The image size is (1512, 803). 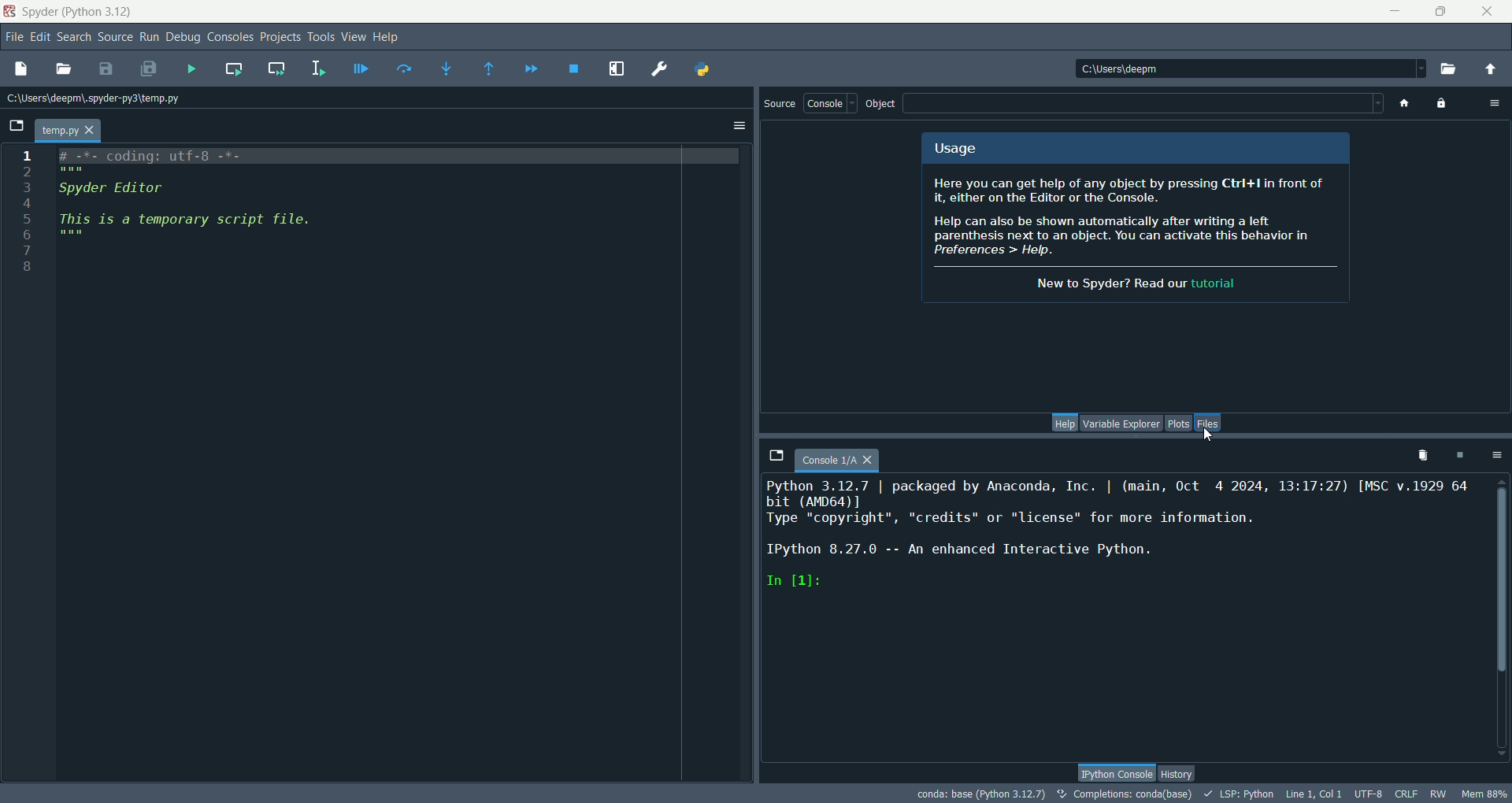 What do you see at coordinates (1314, 794) in the screenshot?
I see `Line, col` at bounding box center [1314, 794].